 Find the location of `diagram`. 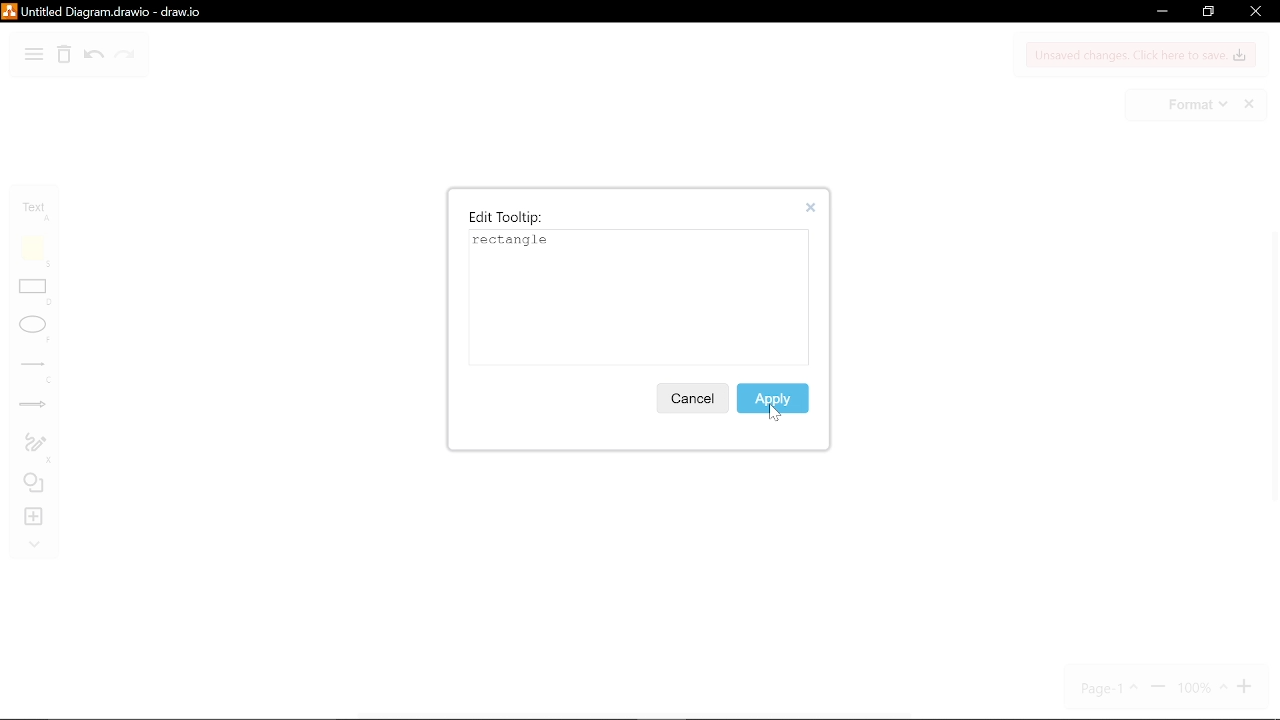

diagram is located at coordinates (34, 56).